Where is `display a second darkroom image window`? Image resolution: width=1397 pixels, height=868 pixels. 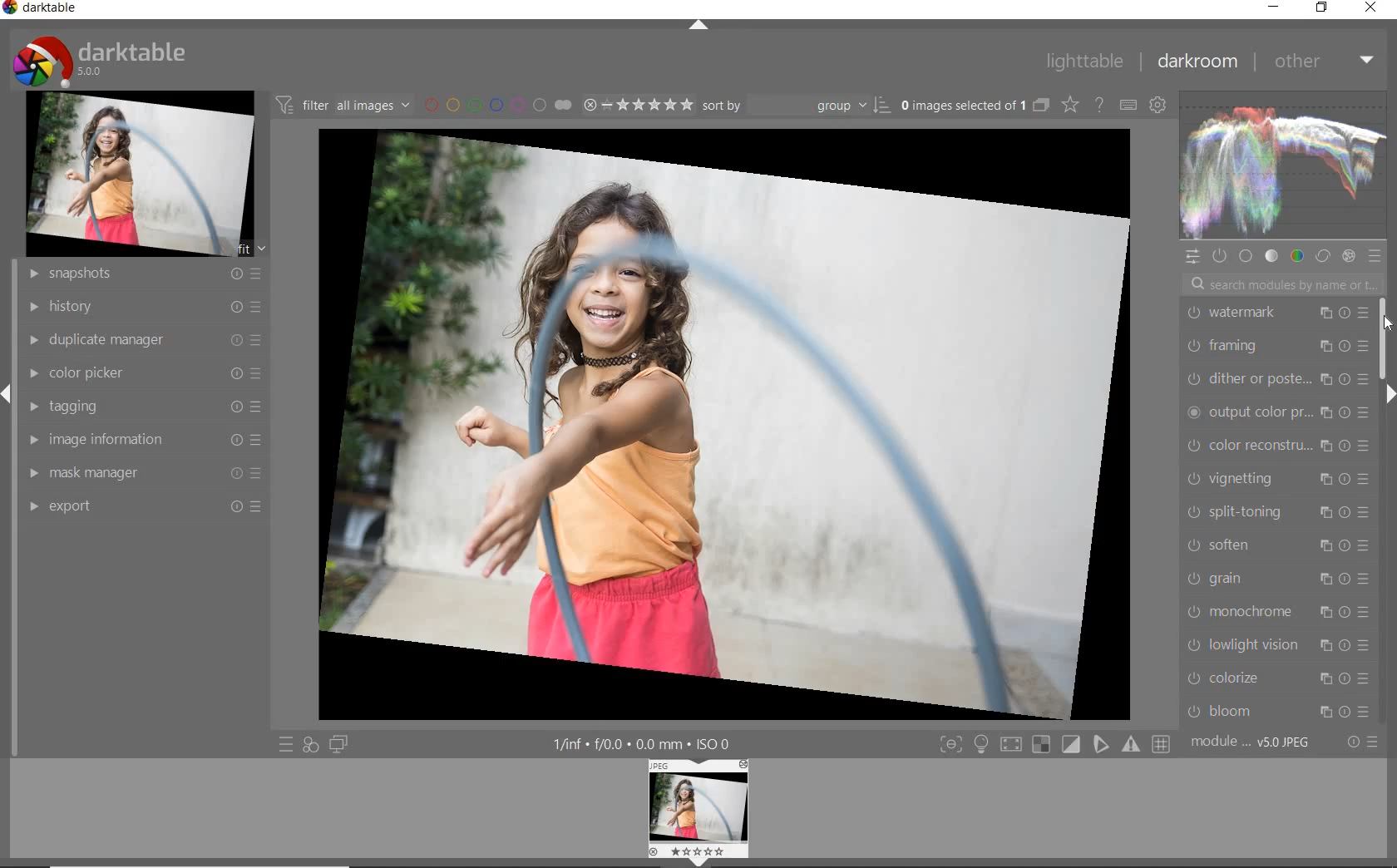 display a second darkroom image window is located at coordinates (338, 745).